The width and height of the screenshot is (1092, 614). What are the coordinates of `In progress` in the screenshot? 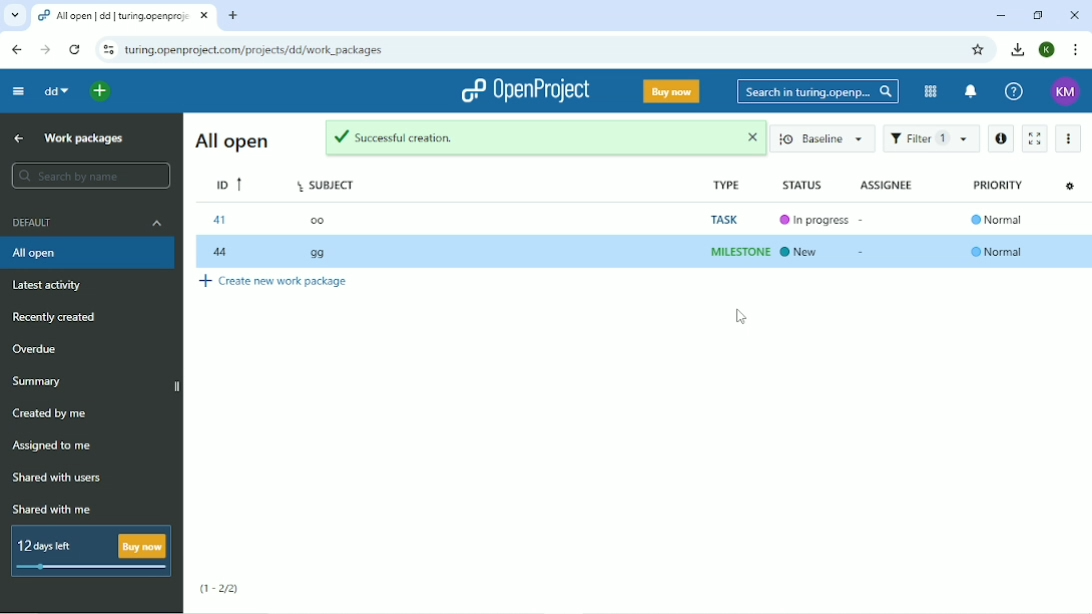 It's located at (810, 220).